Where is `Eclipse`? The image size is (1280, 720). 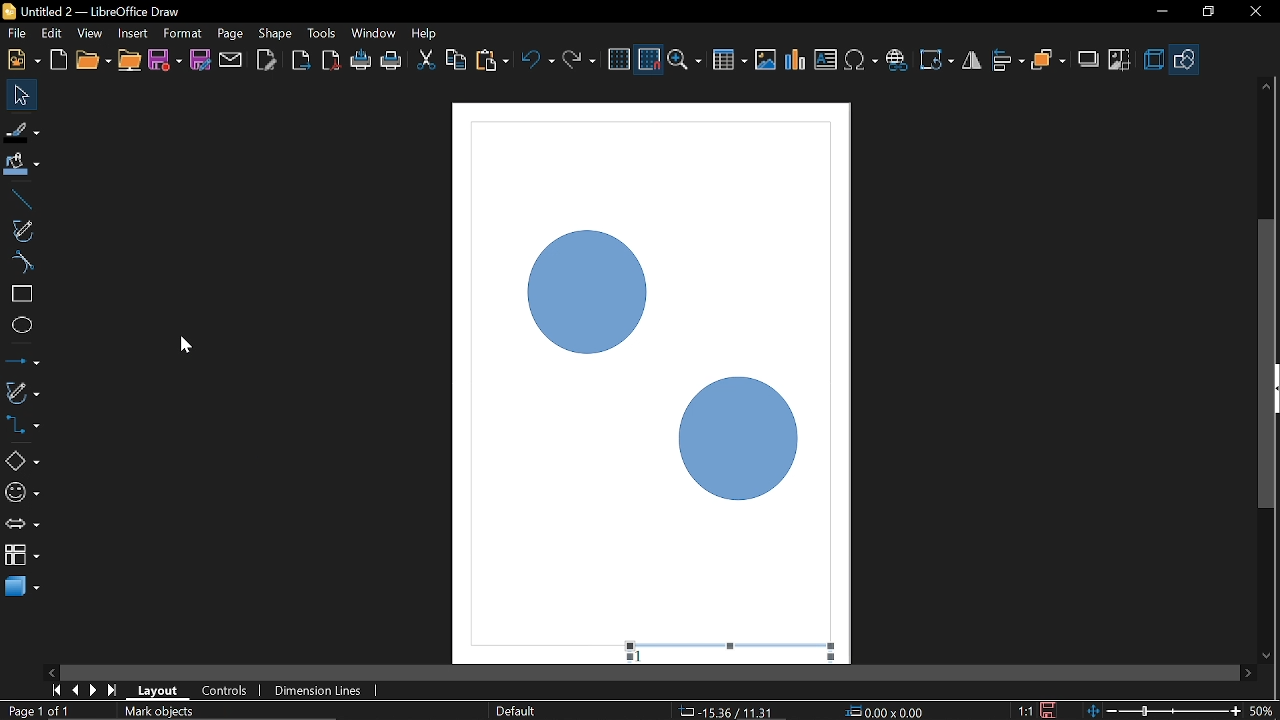 Eclipse is located at coordinates (22, 326).